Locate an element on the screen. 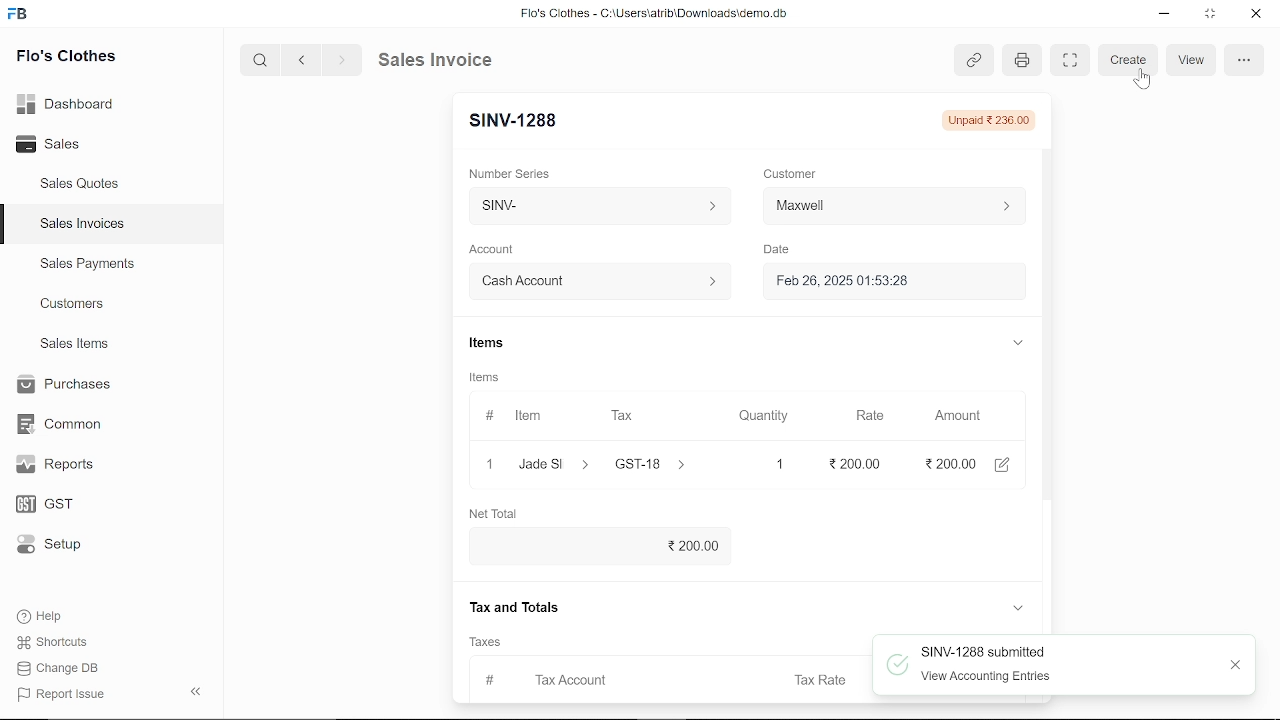  SINV-  is located at coordinates (595, 206).